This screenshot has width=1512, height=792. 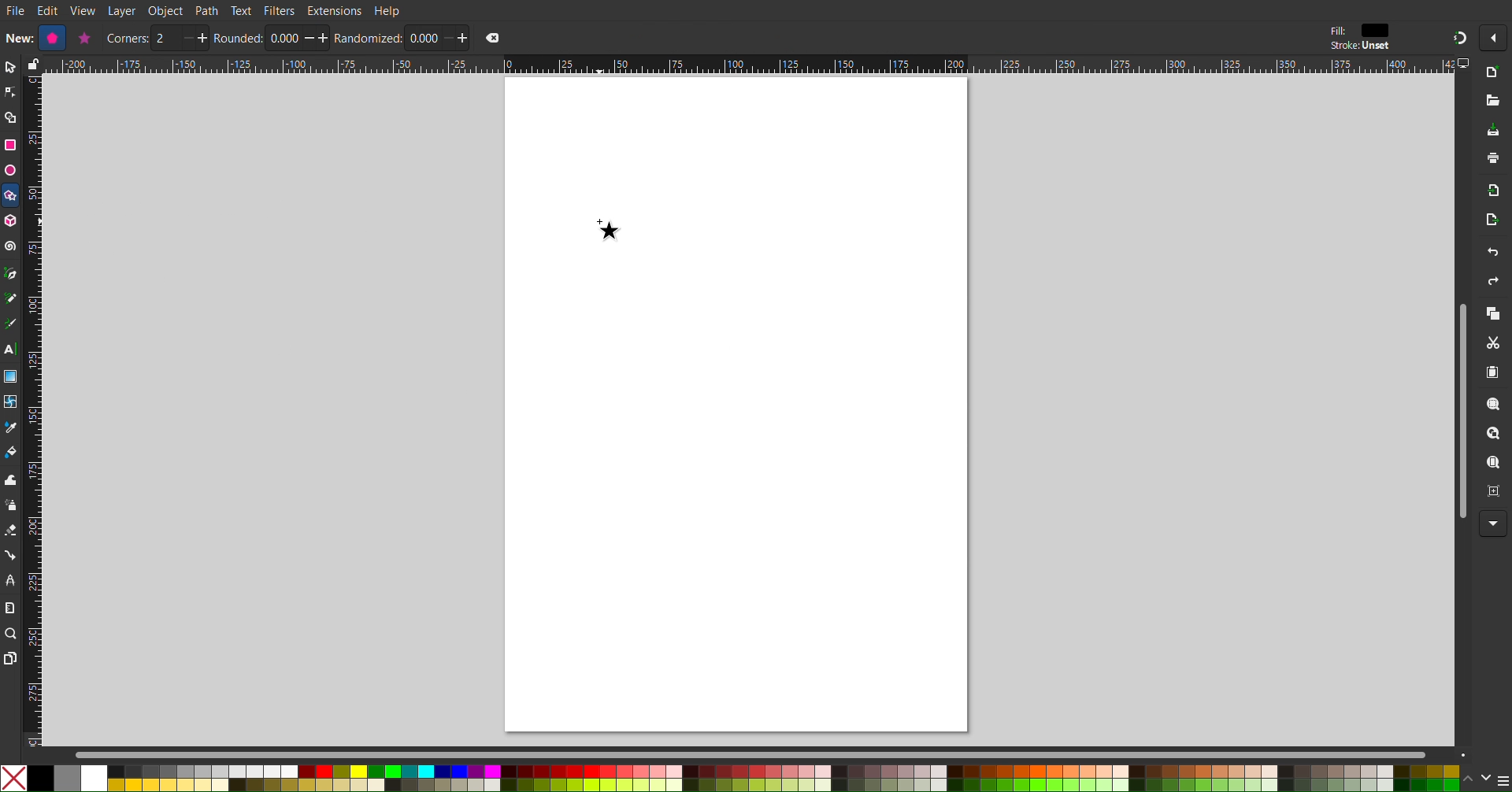 What do you see at coordinates (9, 660) in the screenshot?
I see `Pages` at bounding box center [9, 660].